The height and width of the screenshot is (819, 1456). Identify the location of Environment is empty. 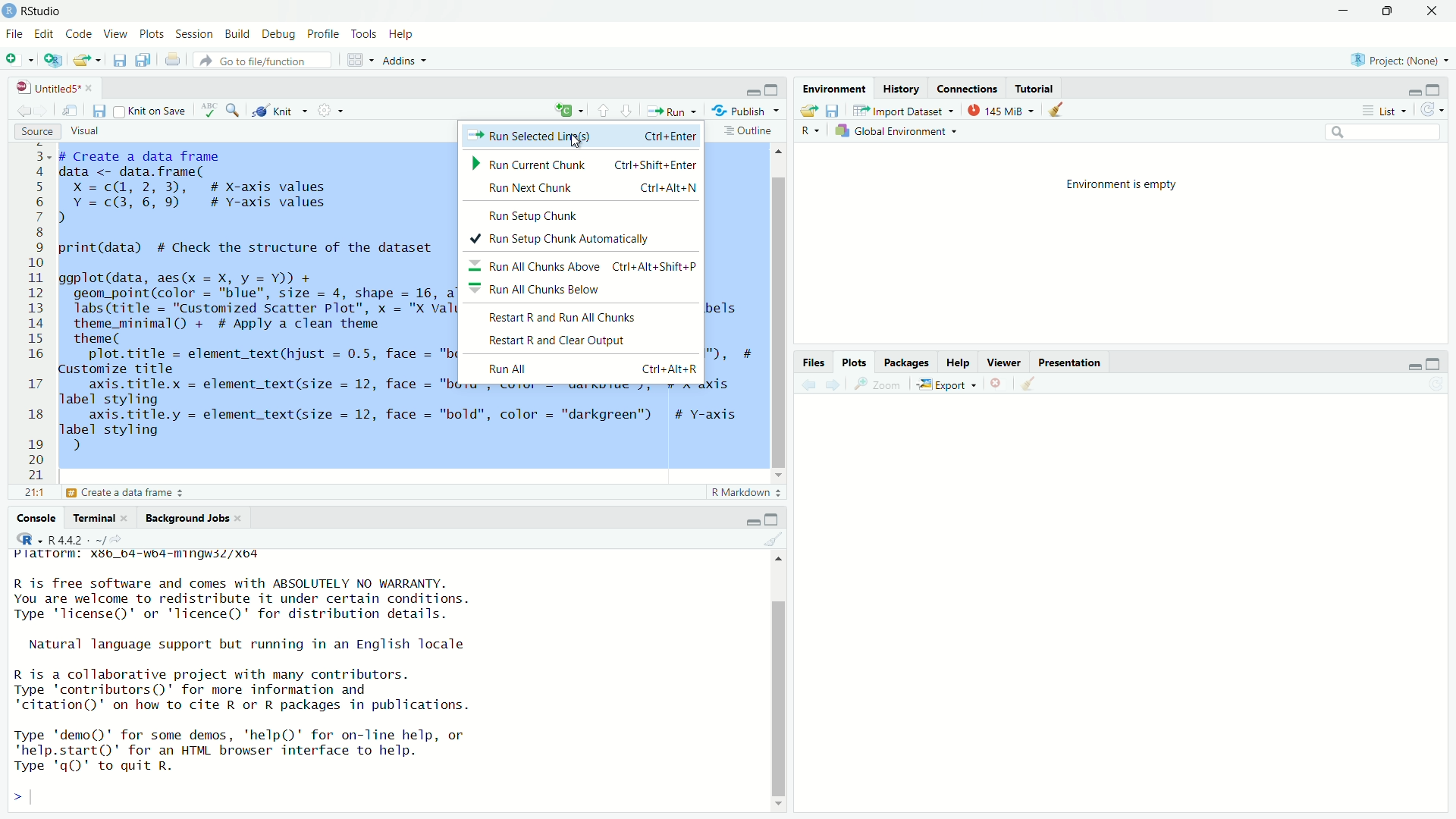
(1122, 185).